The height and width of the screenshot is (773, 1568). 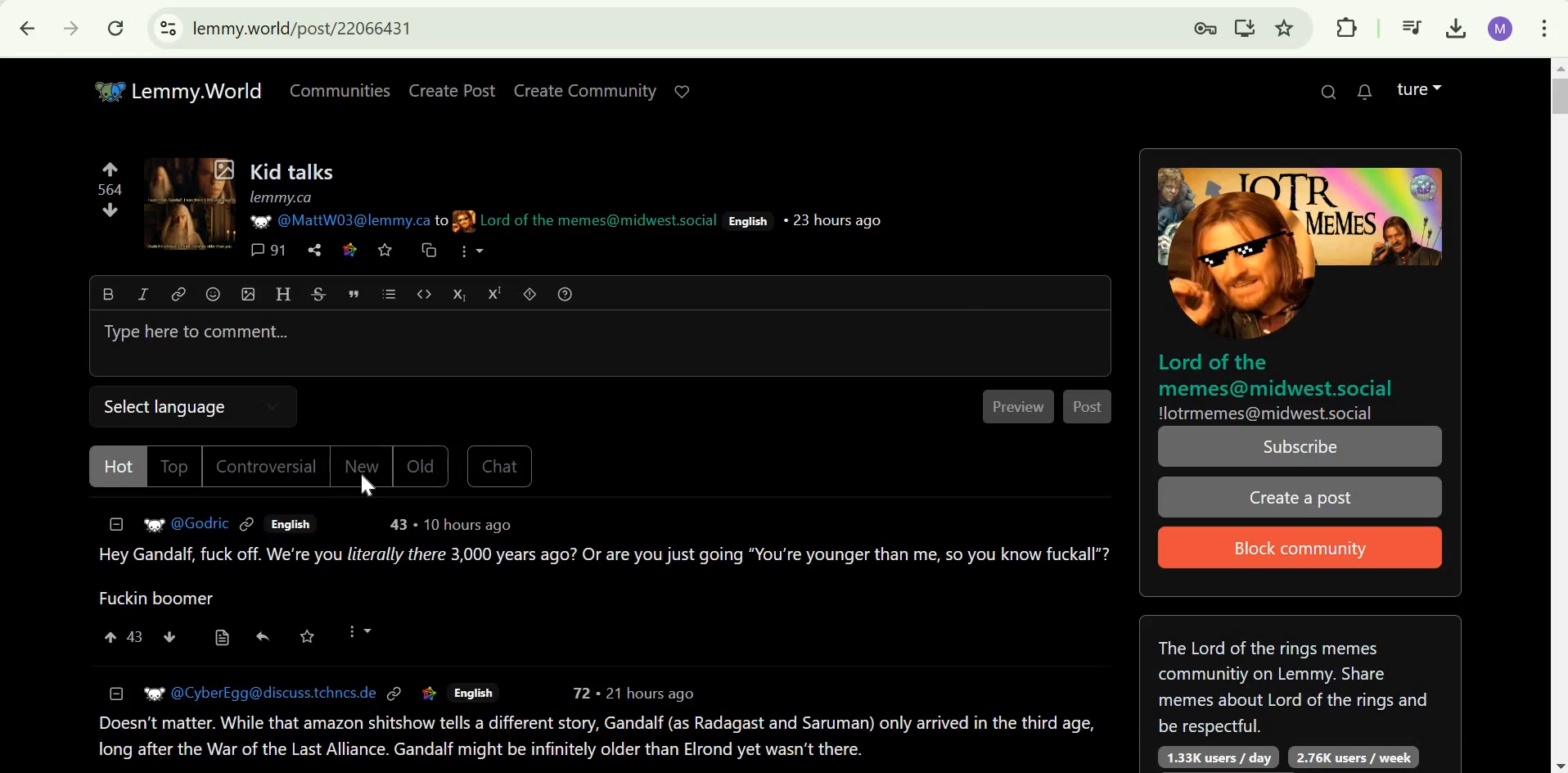 What do you see at coordinates (501, 465) in the screenshot?
I see `Chat` at bounding box center [501, 465].